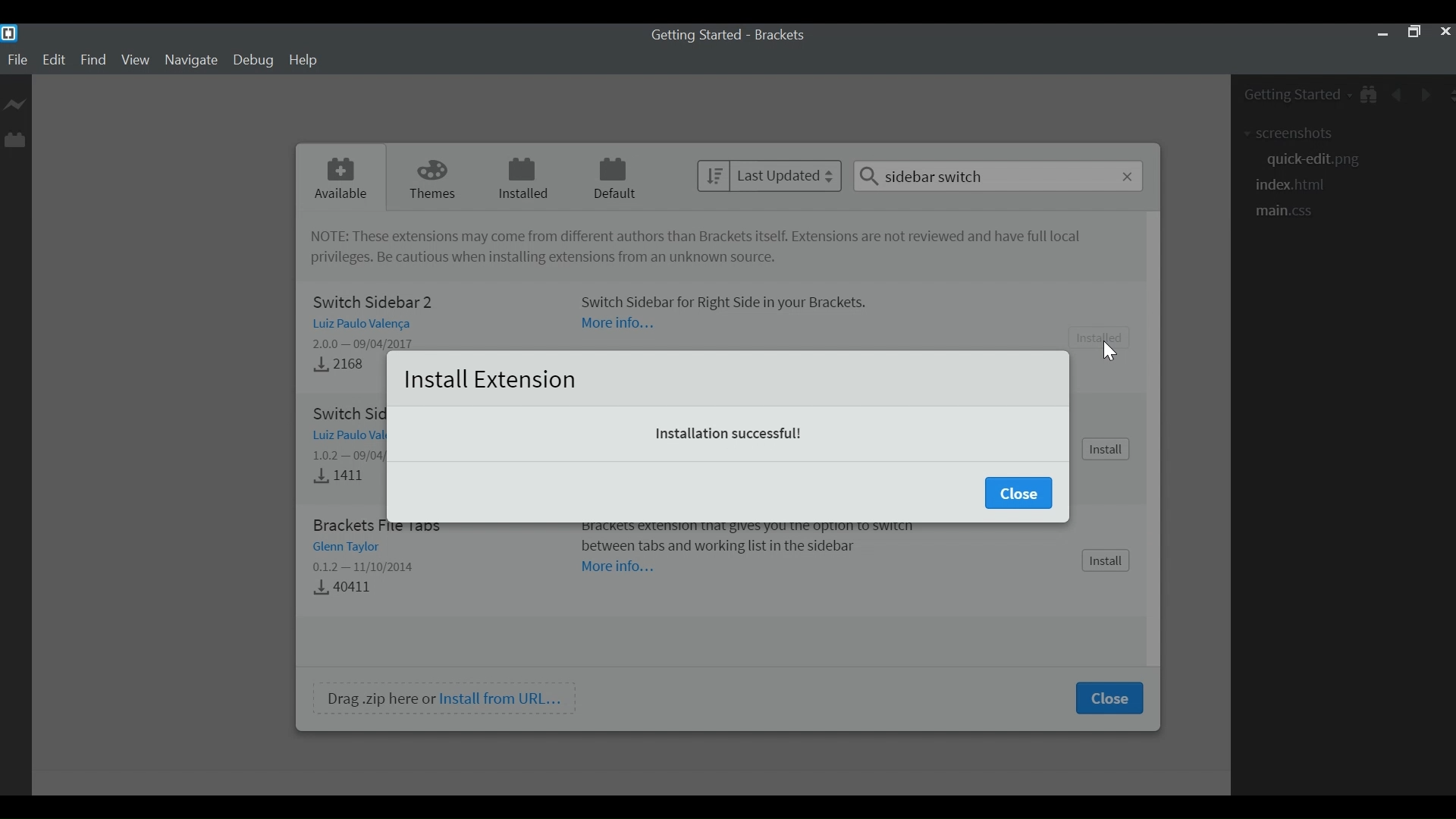  What do you see at coordinates (372, 302) in the screenshot?
I see `Switch Sidebar 2` at bounding box center [372, 302].